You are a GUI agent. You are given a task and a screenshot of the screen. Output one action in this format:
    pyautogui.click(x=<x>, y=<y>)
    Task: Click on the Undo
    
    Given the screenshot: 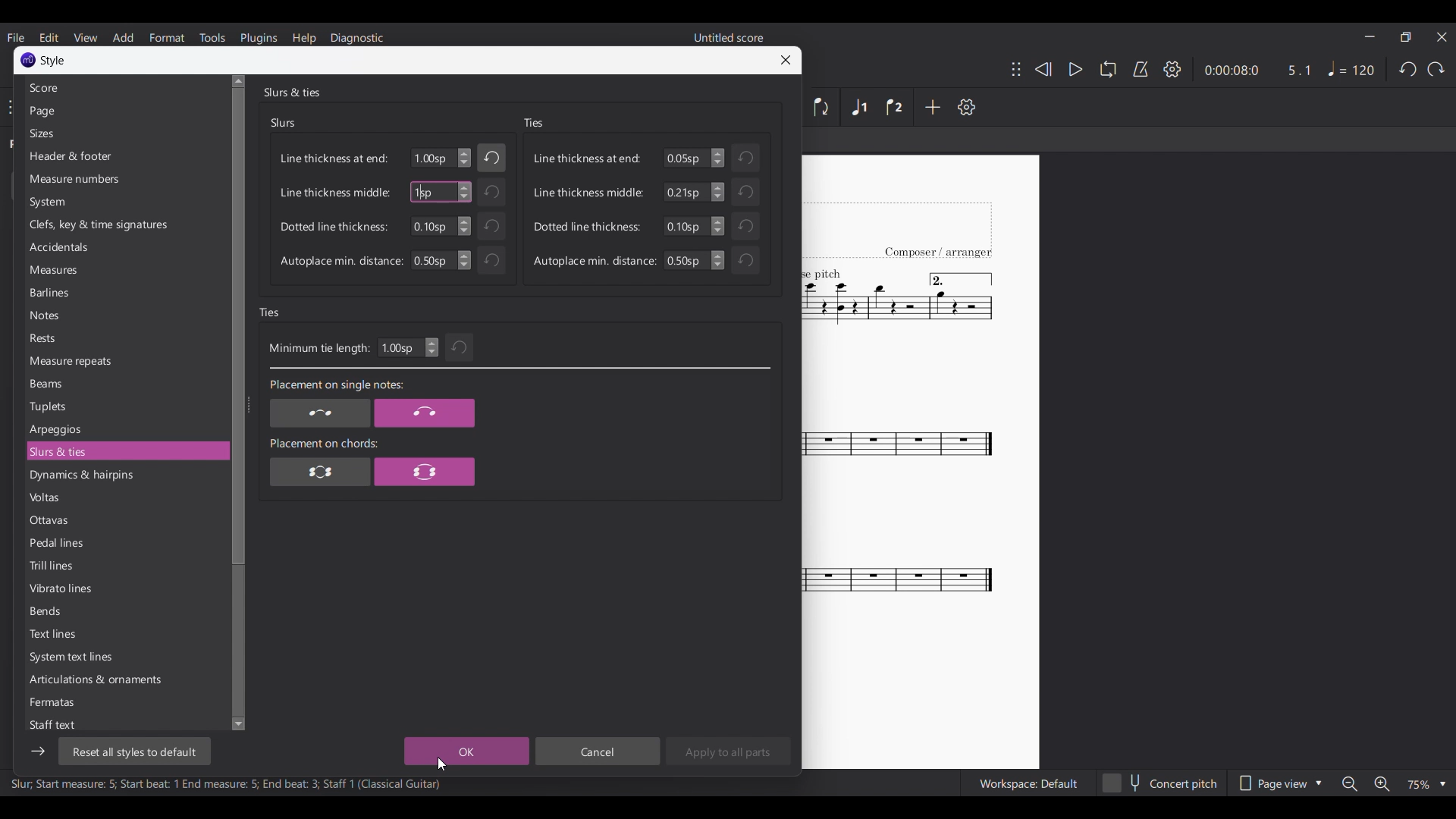 What is the action you would take?
    pyautogui.click(x=1407, y=69)
    